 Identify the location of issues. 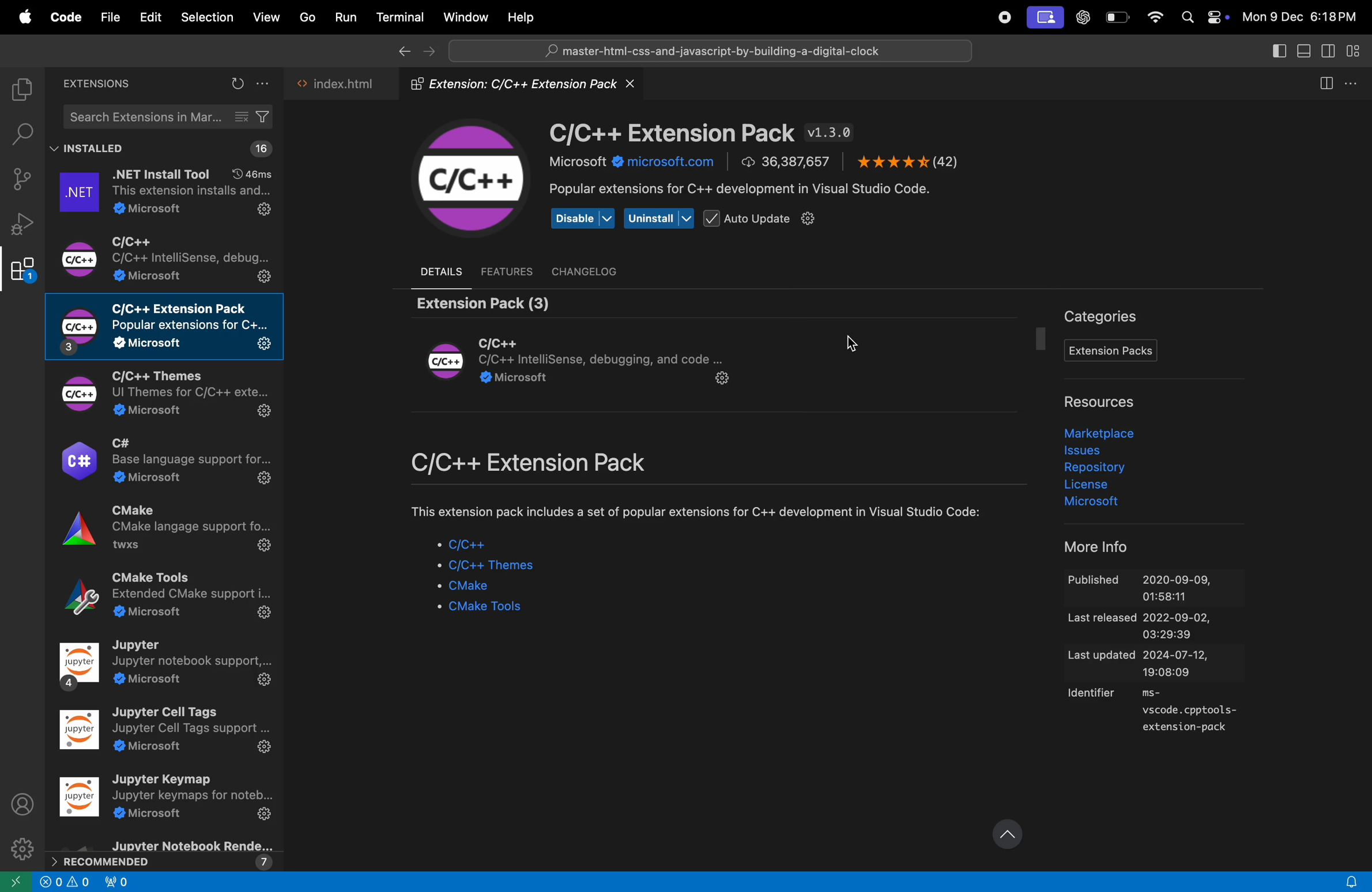
(1090, 451).